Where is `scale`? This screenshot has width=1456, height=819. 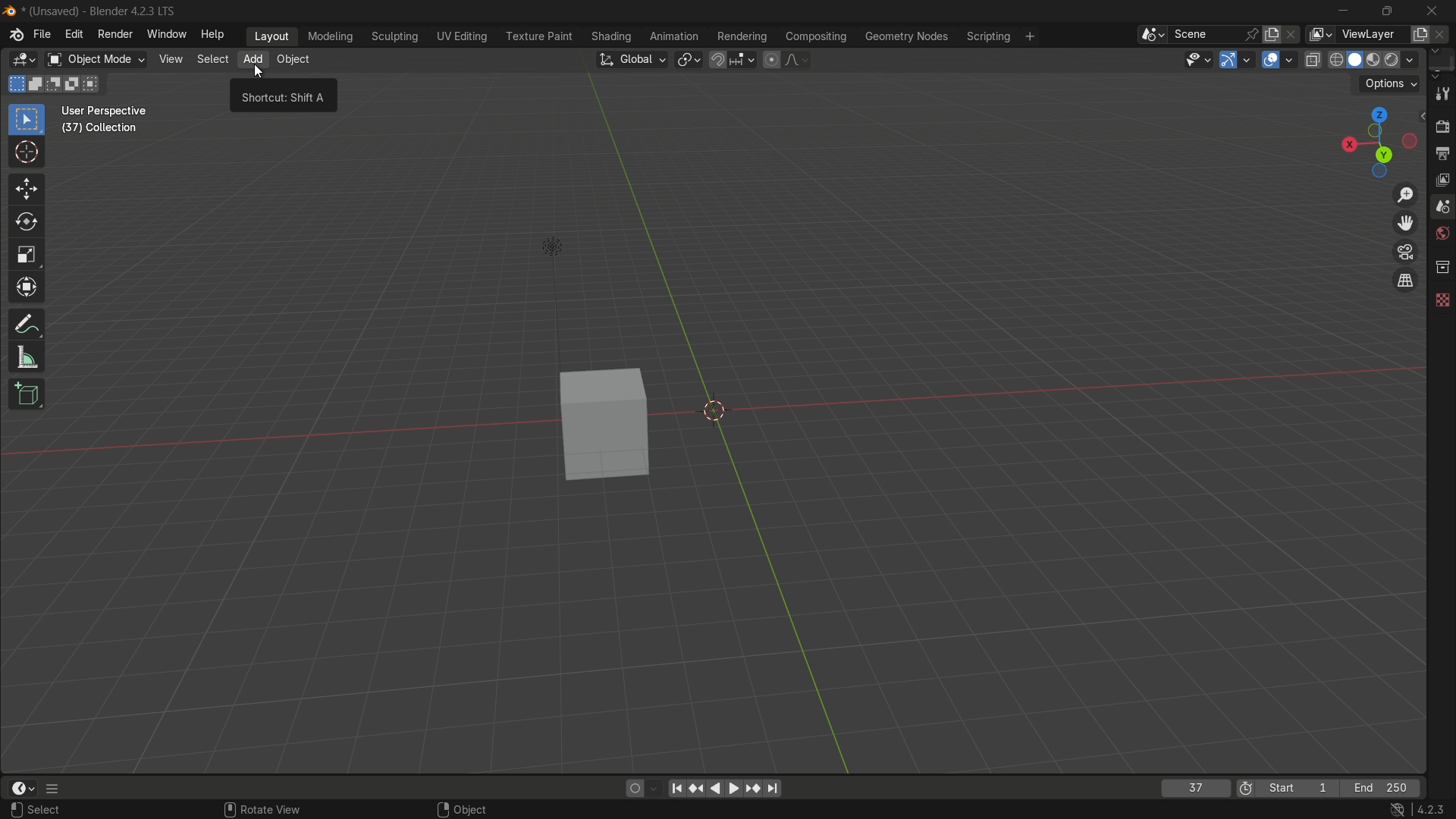
scale is located at coordinates (27, 255).